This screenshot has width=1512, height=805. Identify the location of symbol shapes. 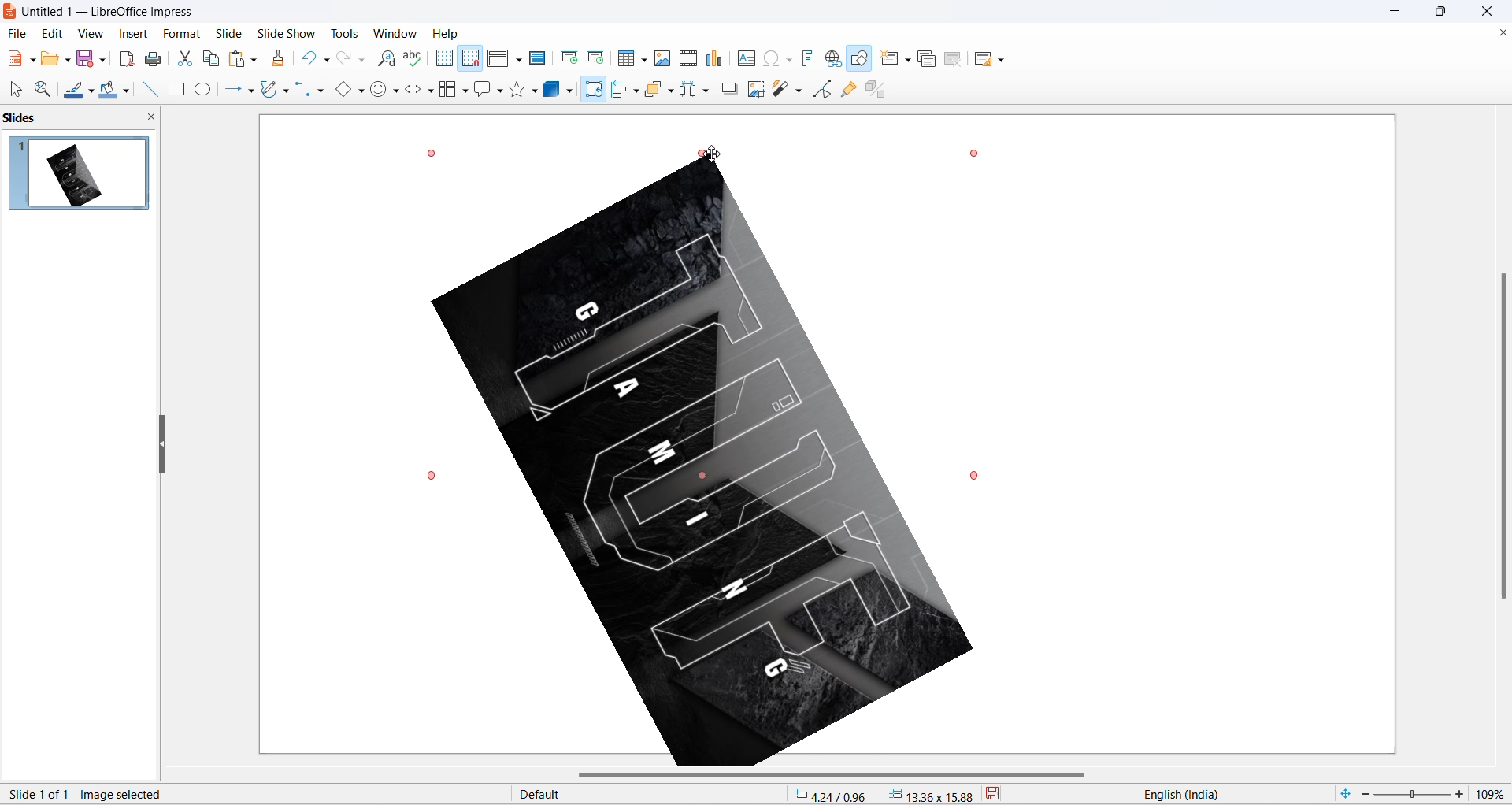
(398, 93).